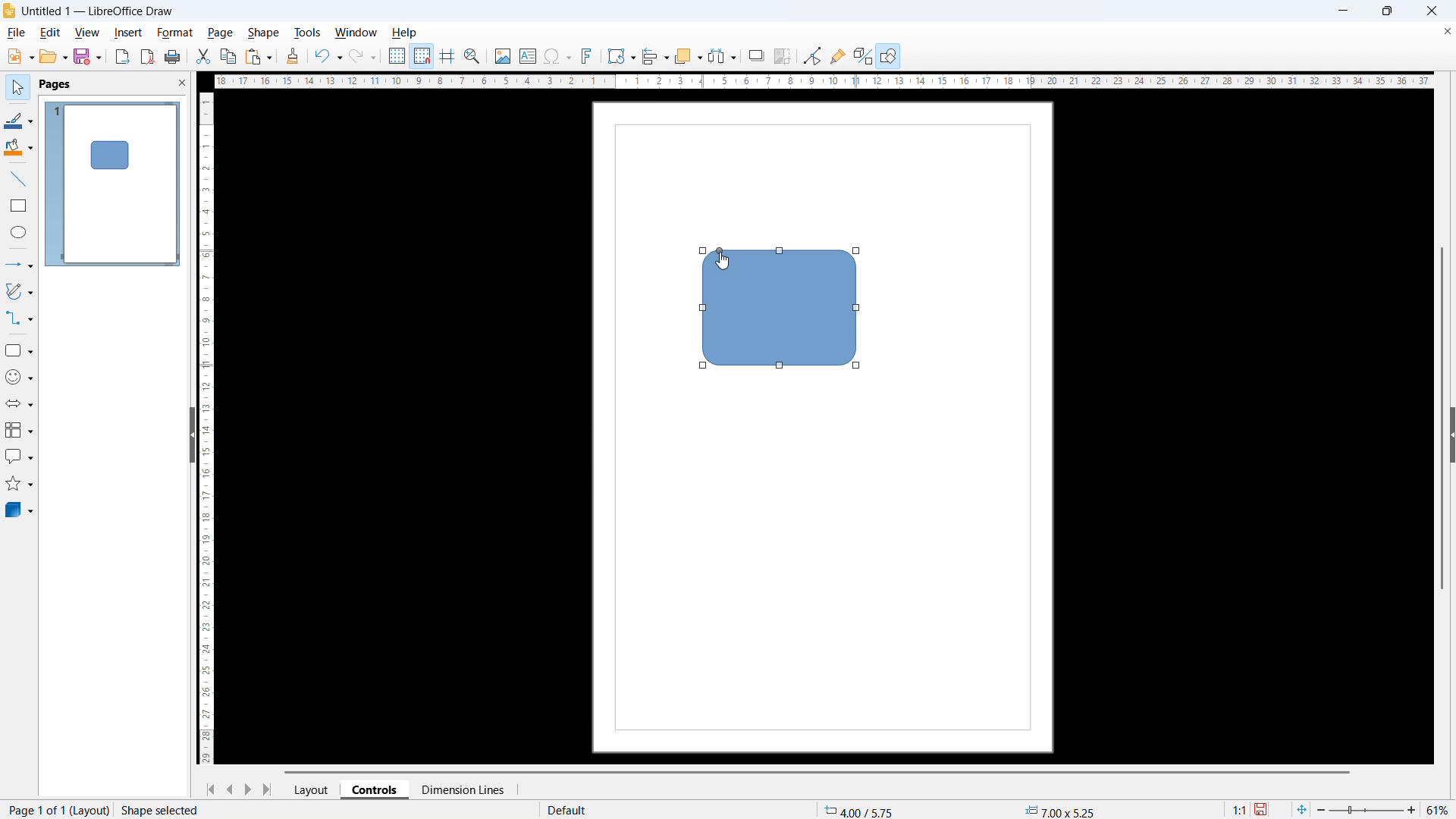 This screenshot has height=819, width=1456. What do you see at coordinates (888, 55) in the screenshot?
I see `show draw functions` at bounding box center [888, 55].